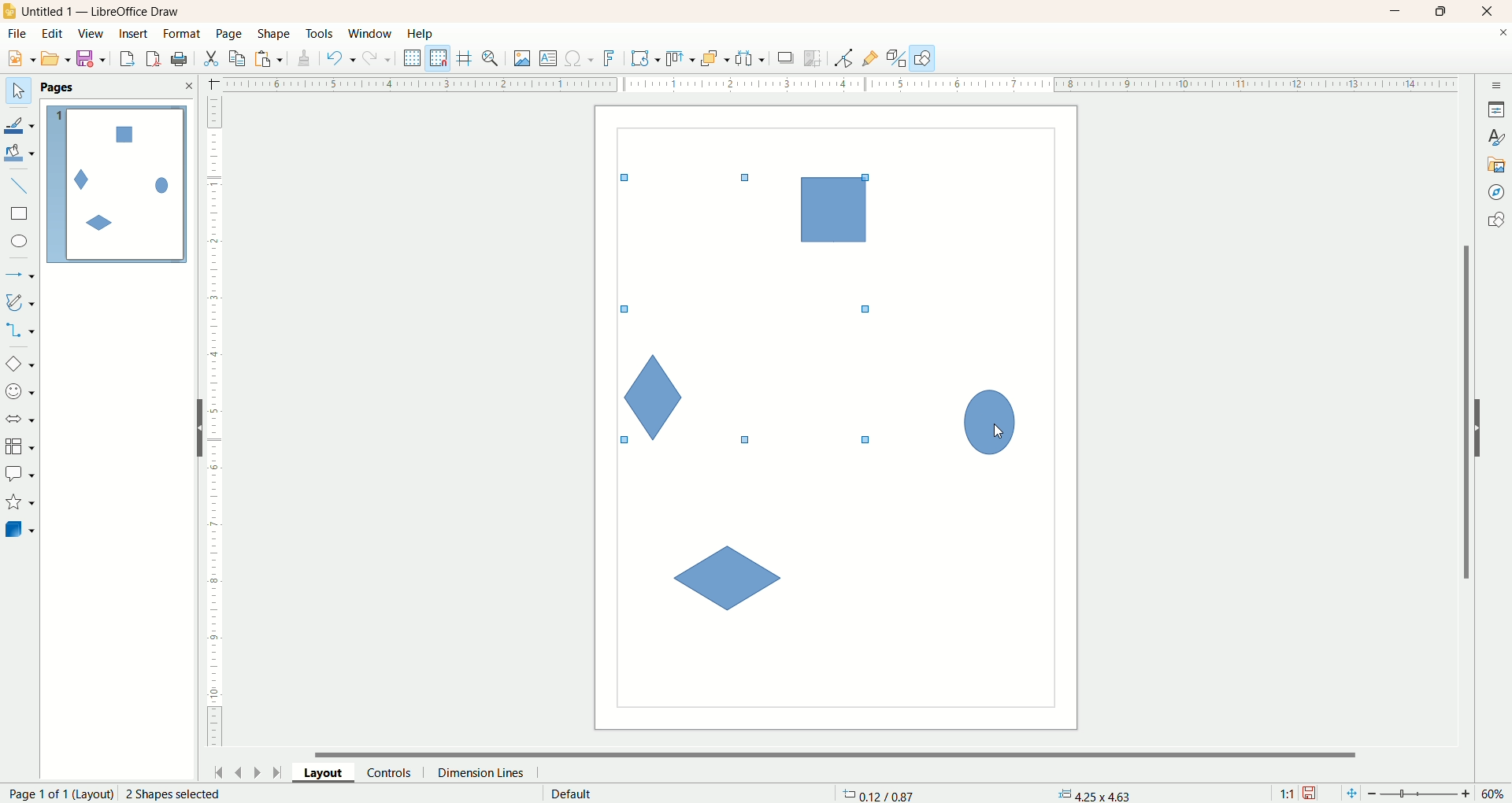  What do you see at coordinates (421, 34) in the screenshot?
I see `help` at bounding box center [421, 34].